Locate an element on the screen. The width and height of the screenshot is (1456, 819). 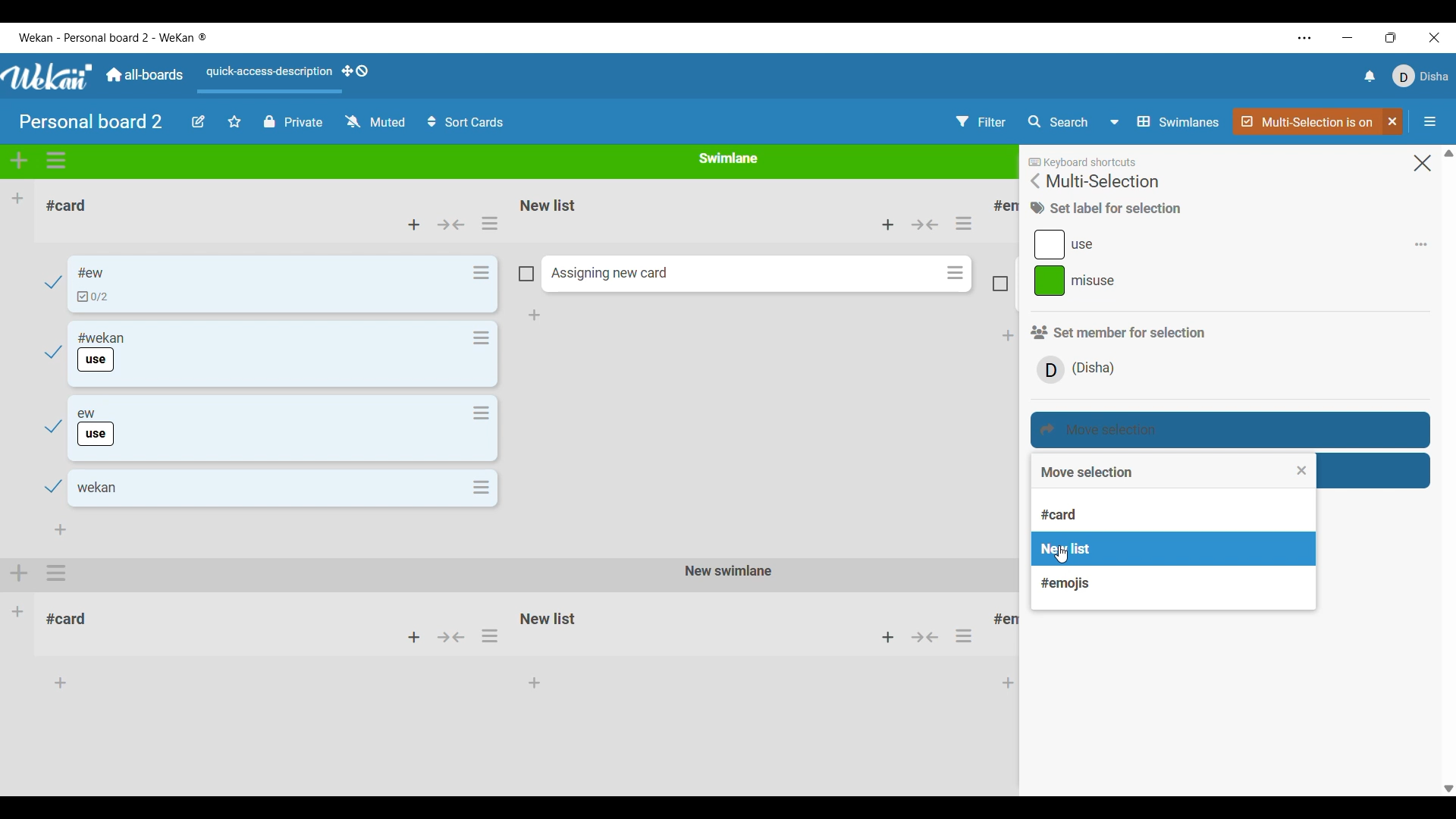
Collapse is located at coordinates (924, 224).